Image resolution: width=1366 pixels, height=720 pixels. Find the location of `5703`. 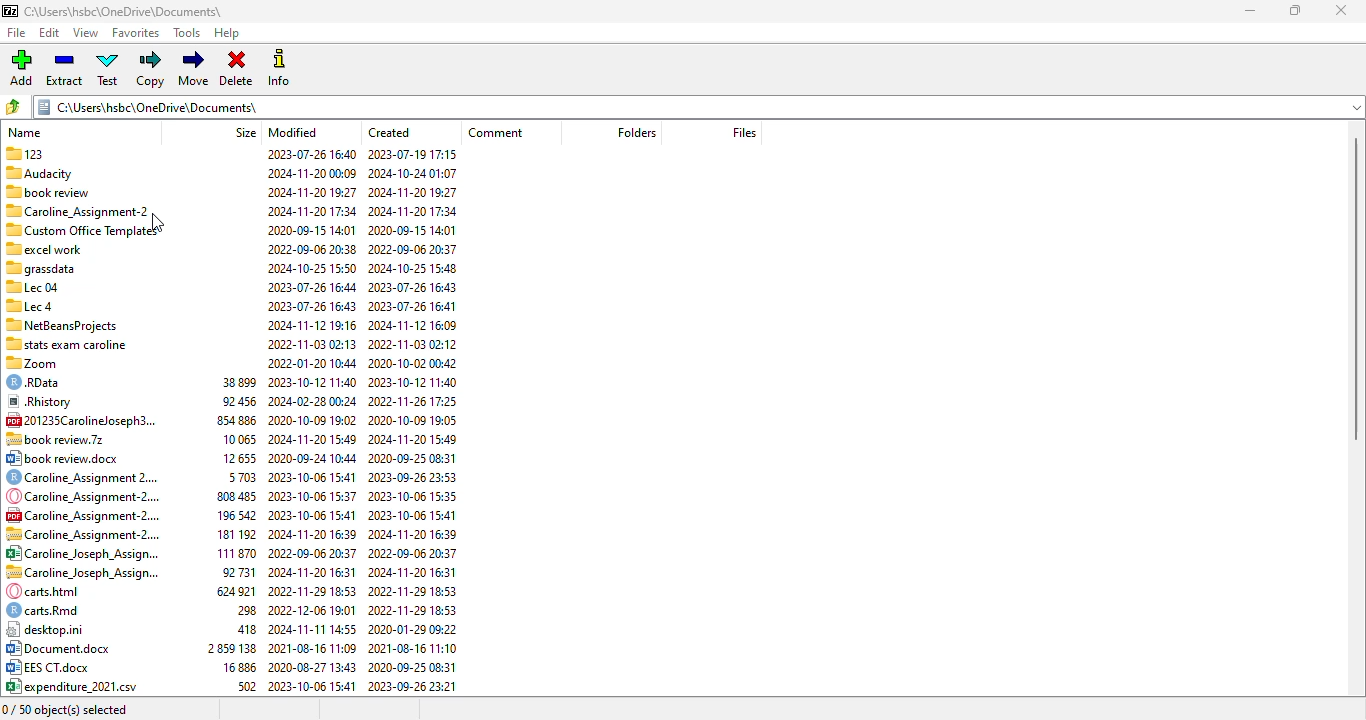

5703 is located at coordinates (240, 480).